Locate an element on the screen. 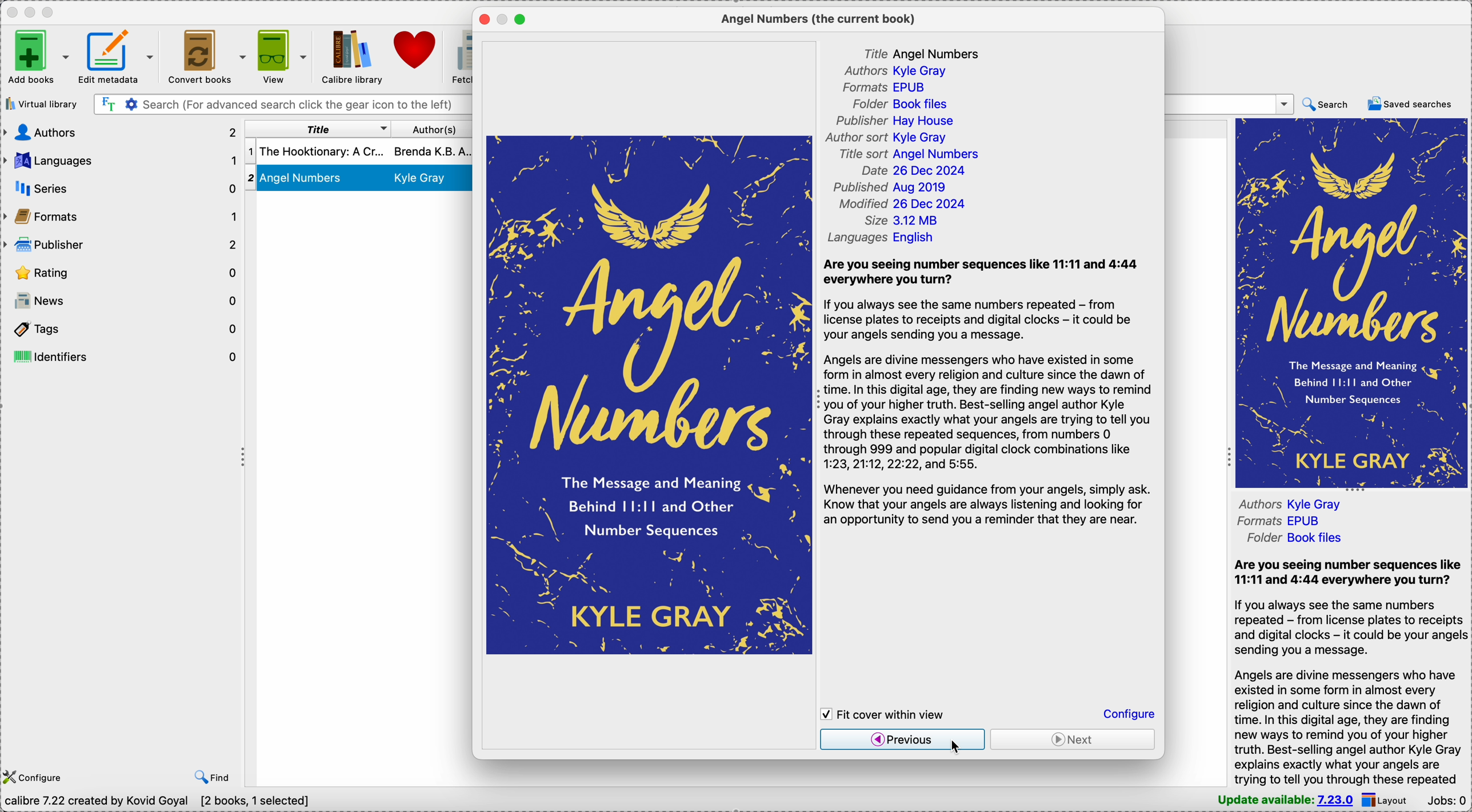 The width and height of the screenshot is (1472, 812). title sort is located at coordinates (909, 153).